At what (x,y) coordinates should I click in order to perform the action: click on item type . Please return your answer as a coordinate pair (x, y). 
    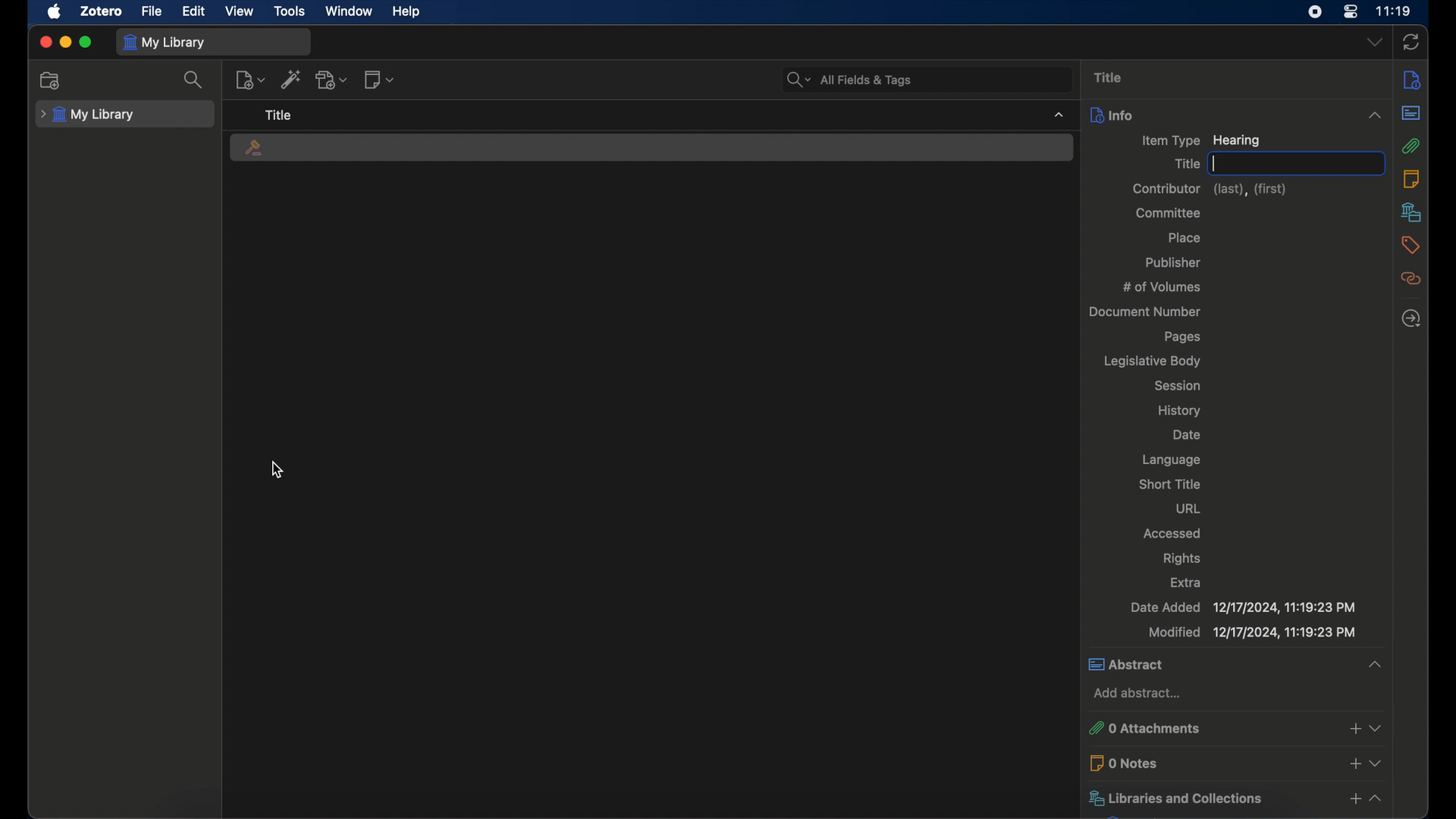
    Looking at the image, I should click on (1201, 140).